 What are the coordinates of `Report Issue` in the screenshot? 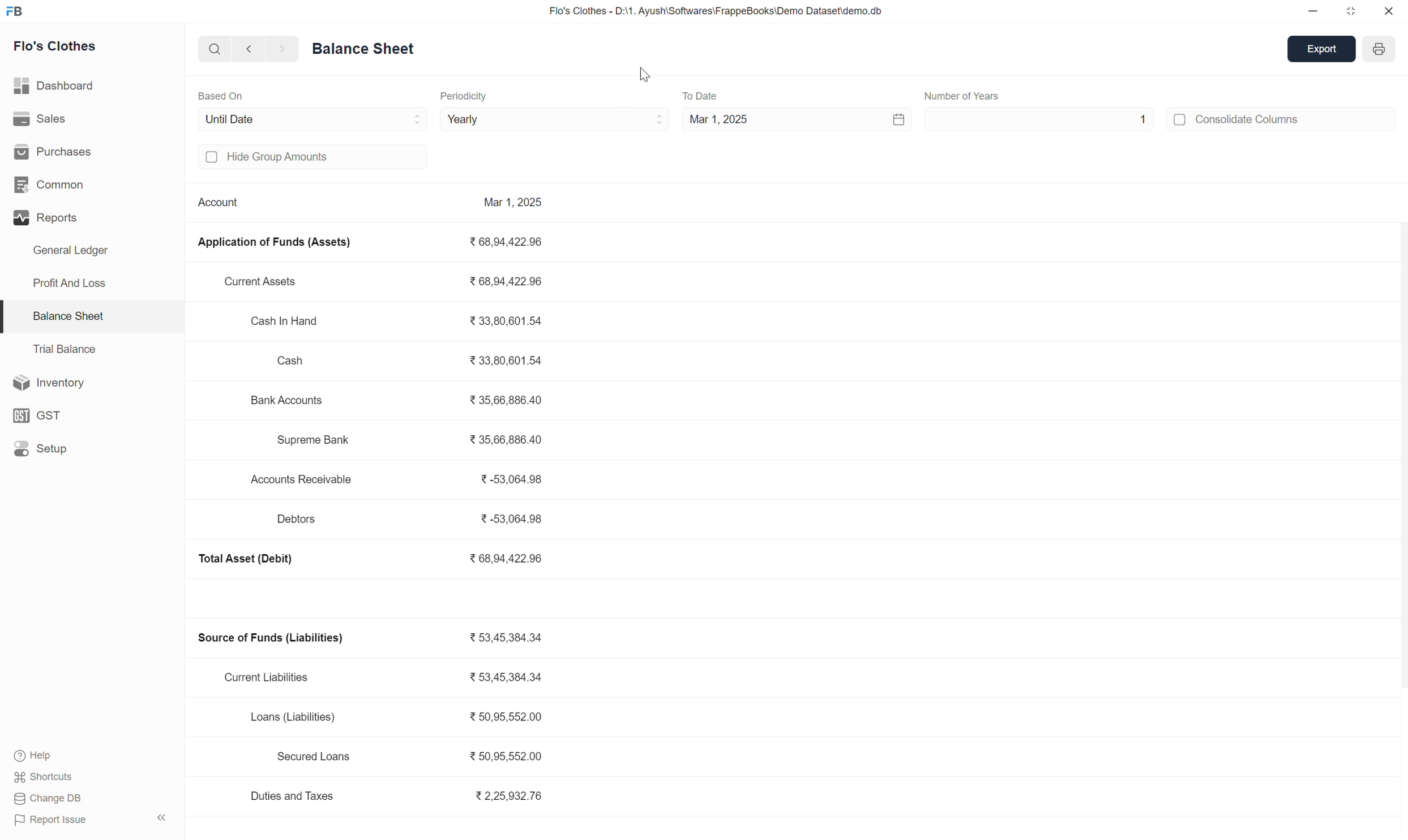 It's located at (47, 820).